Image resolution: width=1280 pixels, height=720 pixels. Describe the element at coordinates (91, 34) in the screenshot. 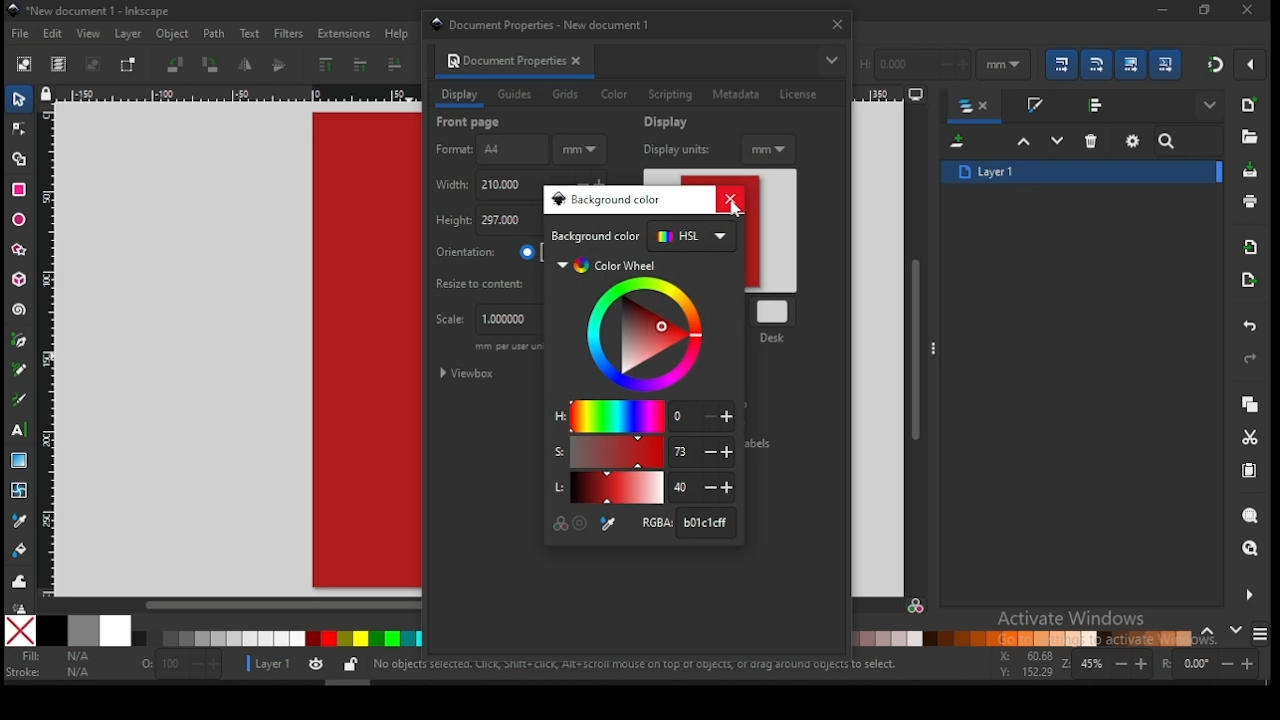

I see `view` at that location.